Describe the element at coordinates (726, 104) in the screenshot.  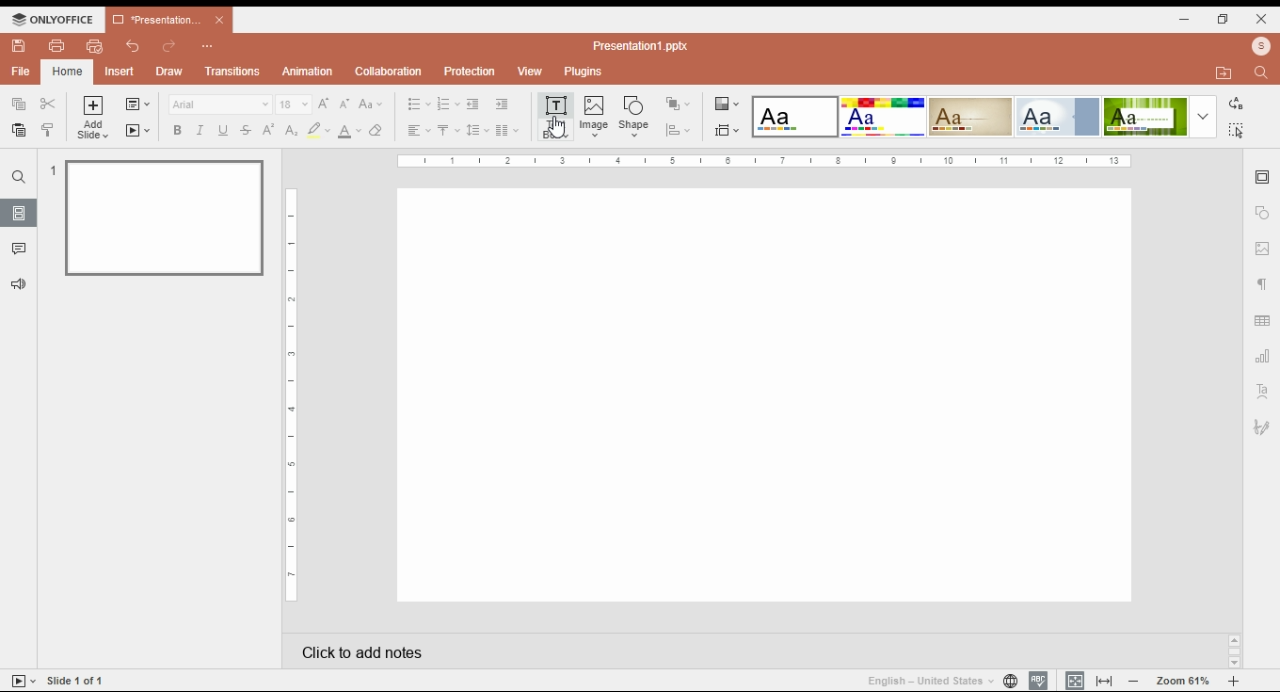
I see `color themes` at that location.